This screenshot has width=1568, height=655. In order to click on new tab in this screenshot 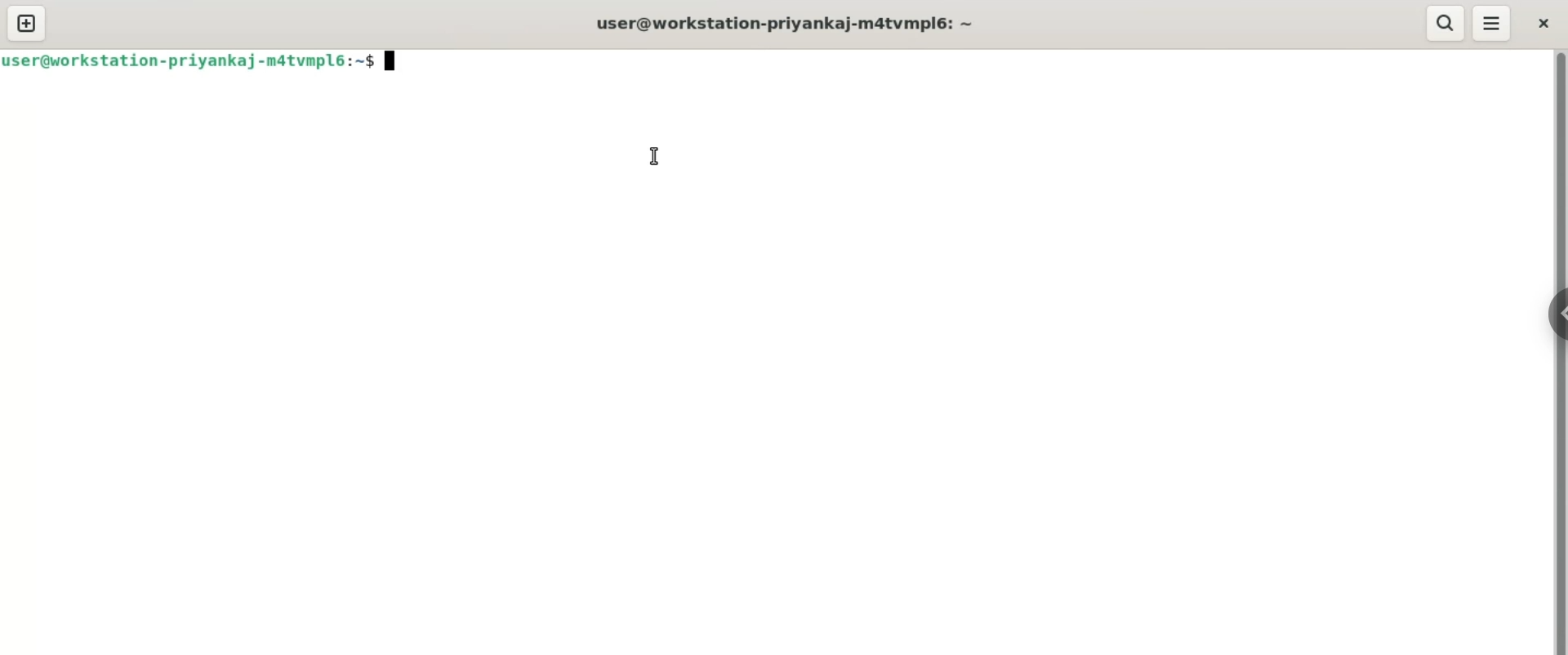, I will do `click(25, 24)`.